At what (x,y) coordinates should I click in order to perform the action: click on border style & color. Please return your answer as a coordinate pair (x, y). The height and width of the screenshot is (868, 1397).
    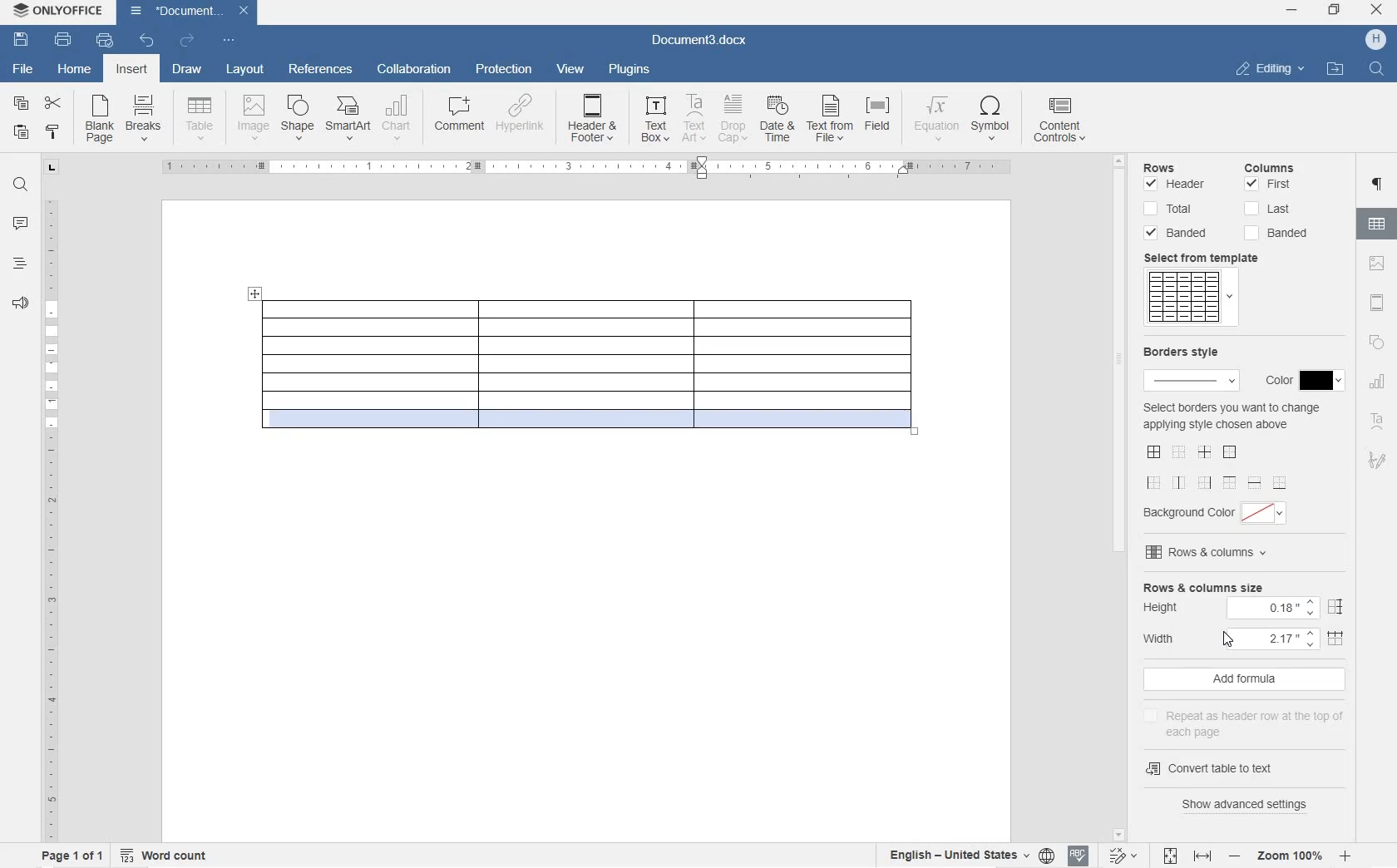
    Looking at the image, I should click on (1188, 369).